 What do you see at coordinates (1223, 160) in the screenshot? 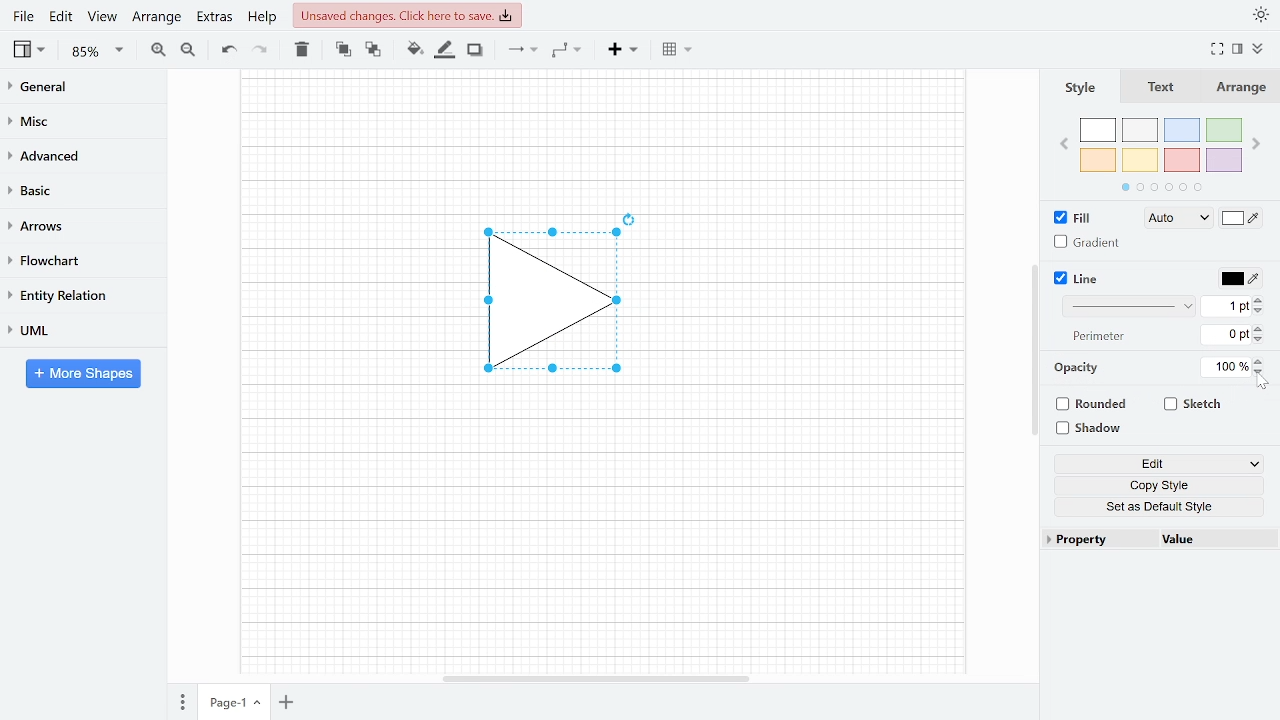
I see `violet` at bounding box center [1223, 160].